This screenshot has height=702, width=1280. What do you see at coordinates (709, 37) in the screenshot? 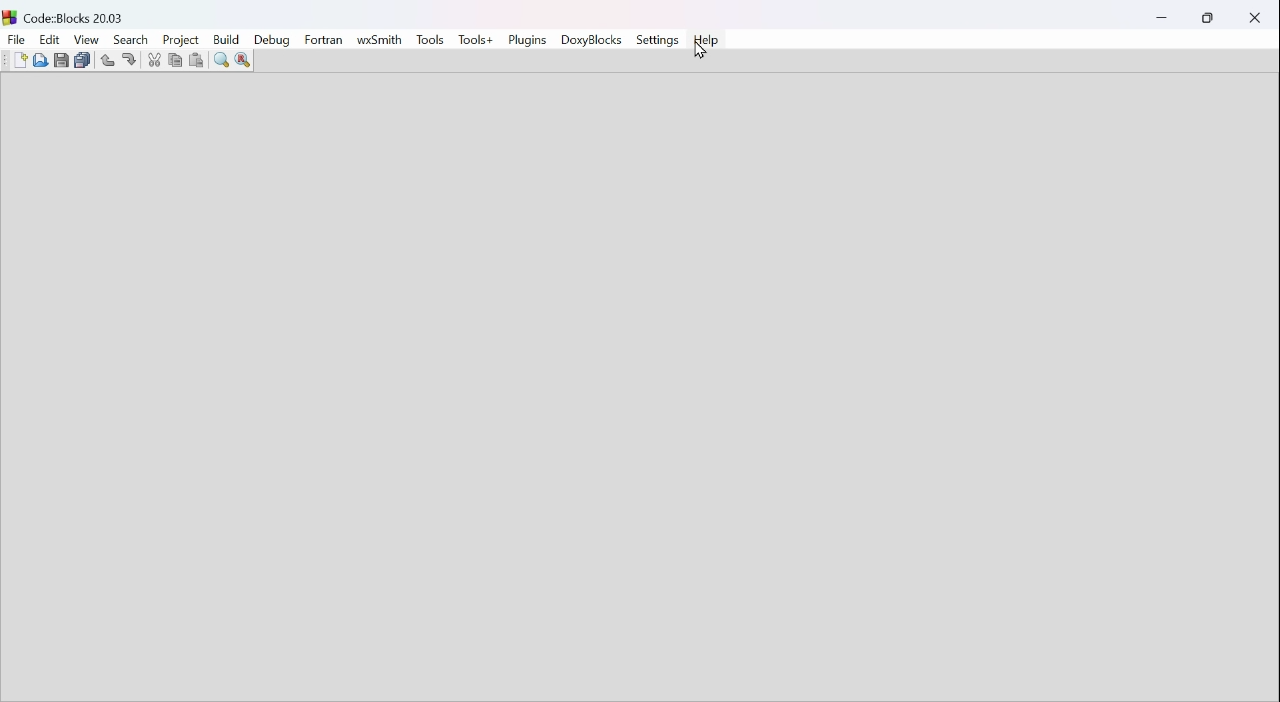
I see `Help` at bounding box center [709, 37].